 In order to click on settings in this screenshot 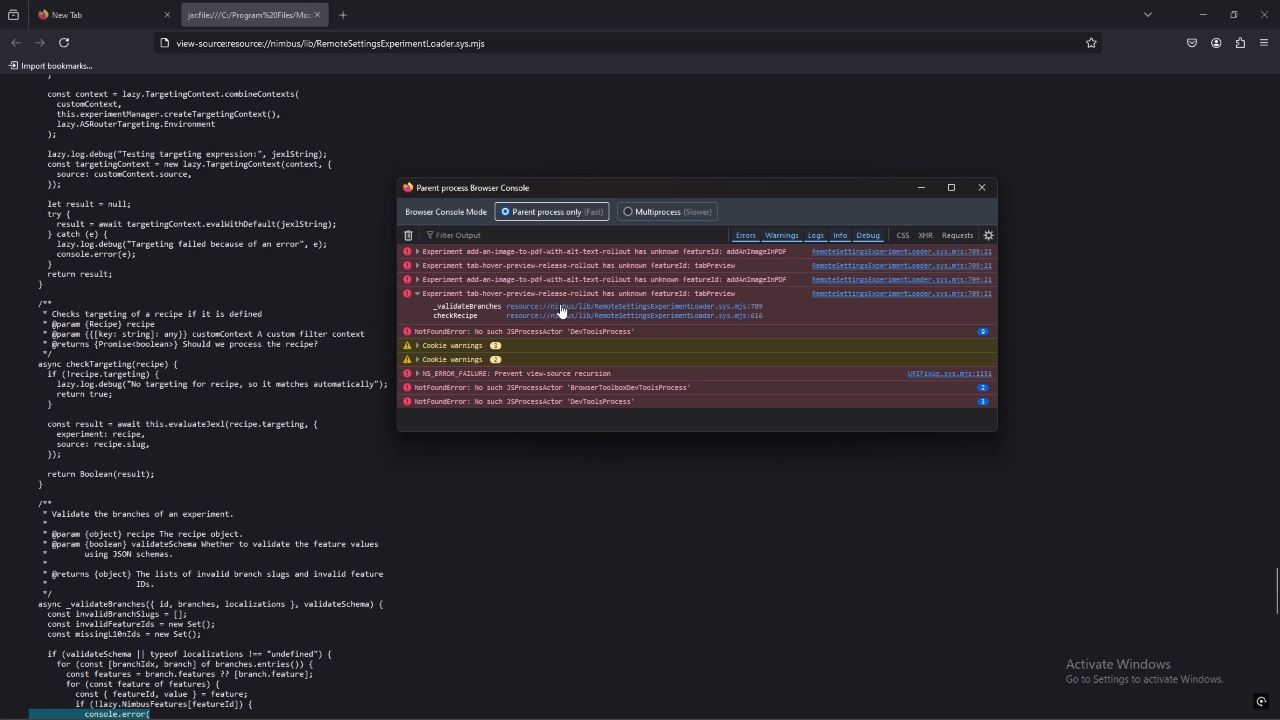, I will do `click(988, 235)`.